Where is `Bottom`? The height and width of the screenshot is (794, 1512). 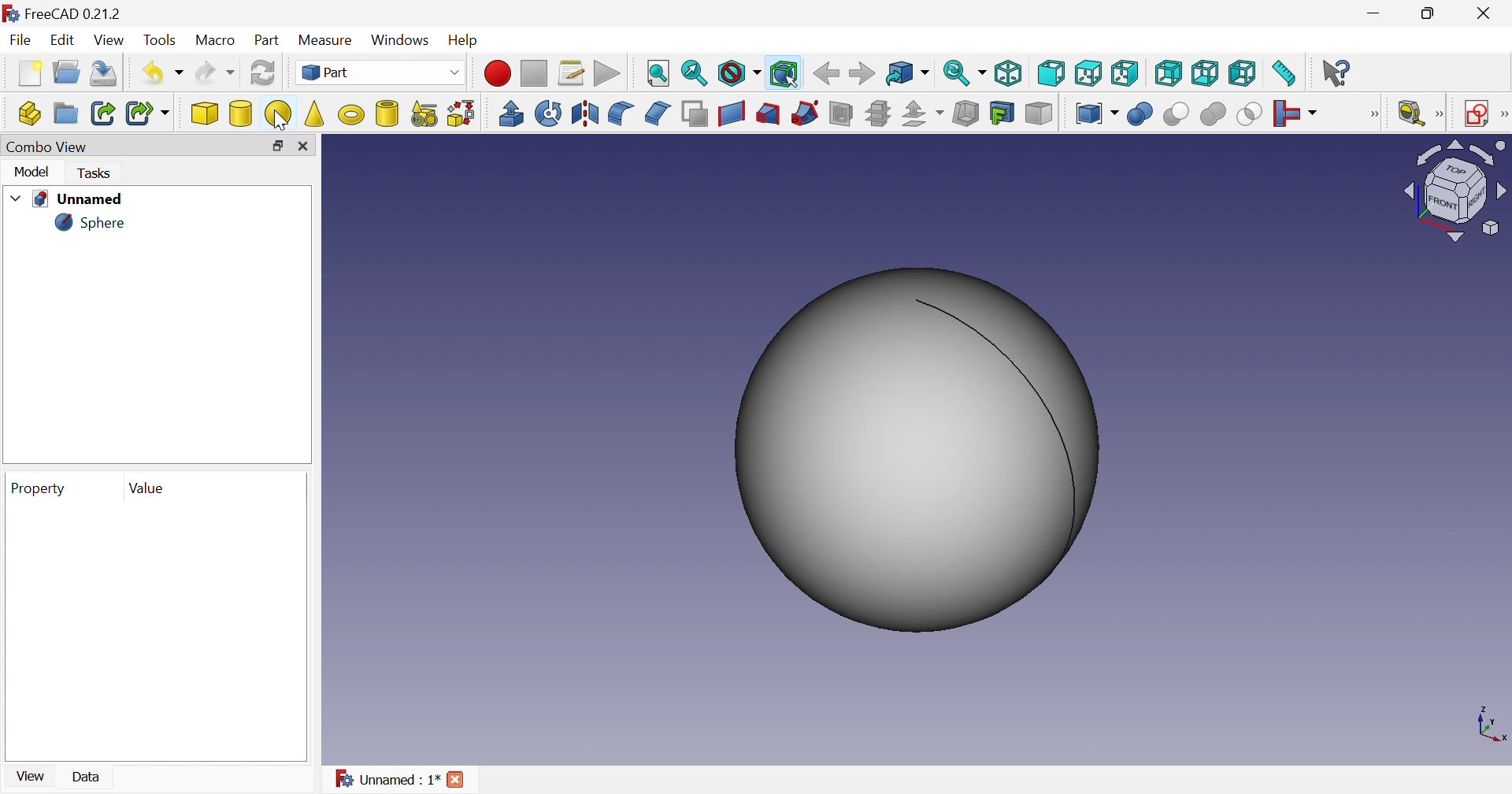
Bottom is located at coordinates (1207, 72).